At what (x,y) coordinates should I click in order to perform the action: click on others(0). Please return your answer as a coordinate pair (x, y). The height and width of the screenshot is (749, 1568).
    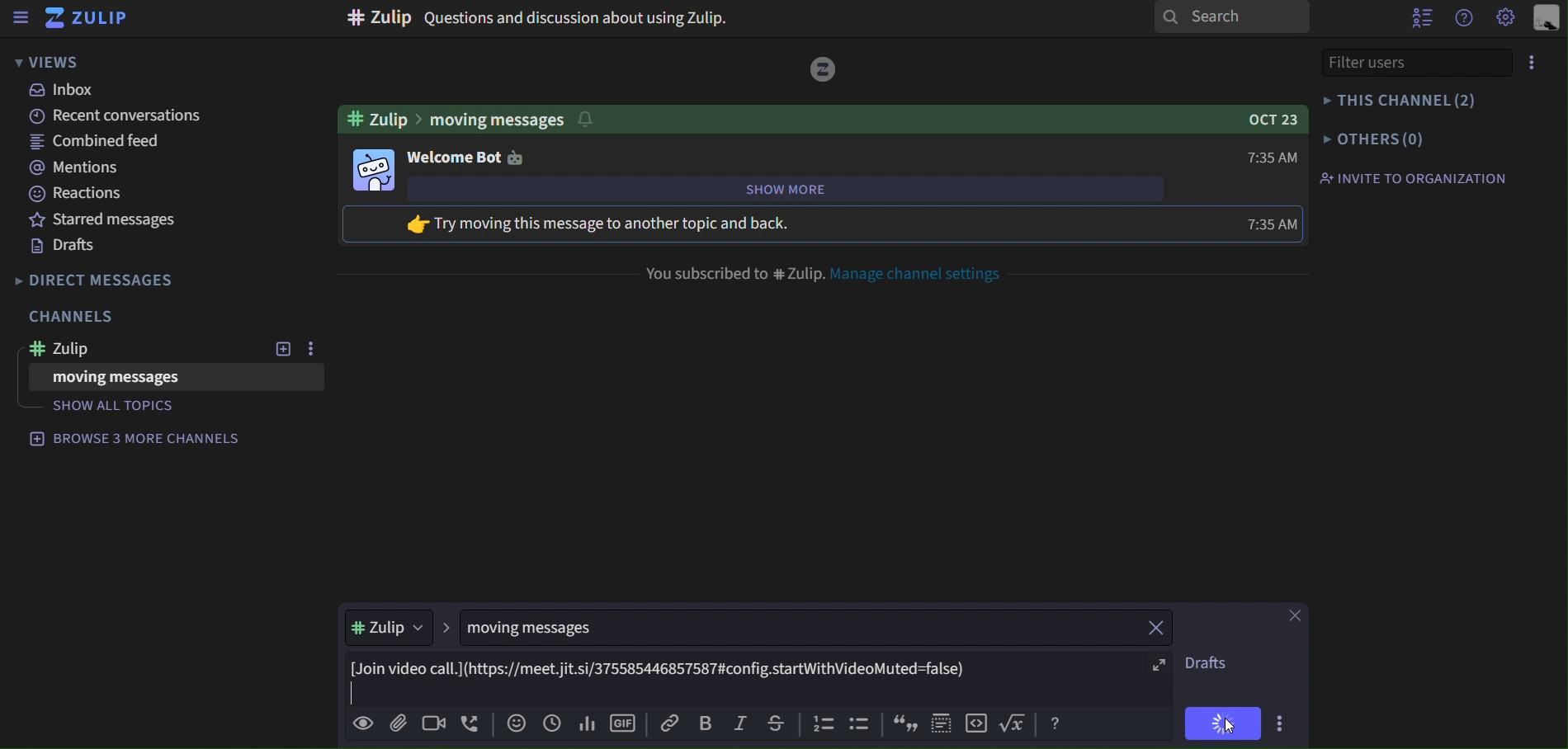
    Looking at the image, I should click on (1375, 138).